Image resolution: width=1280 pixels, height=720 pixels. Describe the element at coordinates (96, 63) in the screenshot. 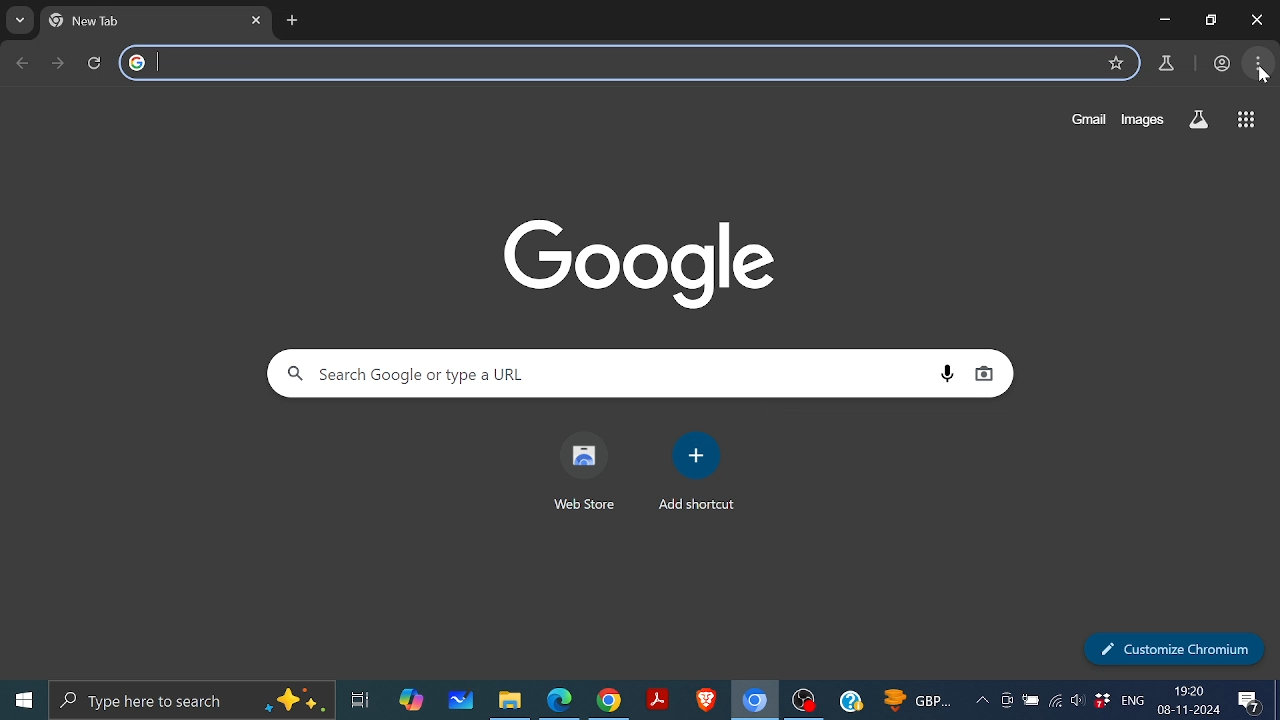

I see `Reload` at that location.